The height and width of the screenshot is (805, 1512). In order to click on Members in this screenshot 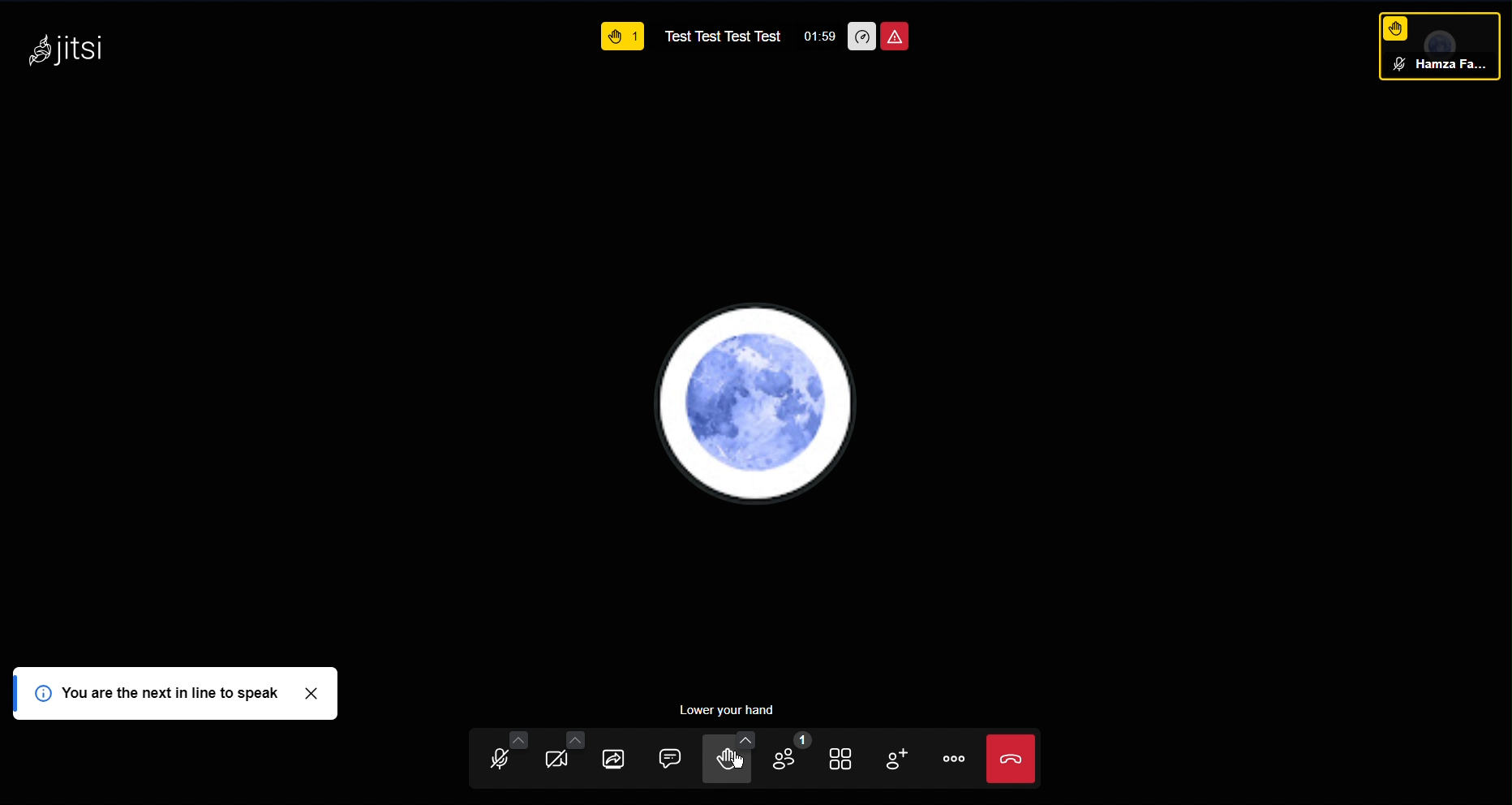, I will do `click(793, 756)`.